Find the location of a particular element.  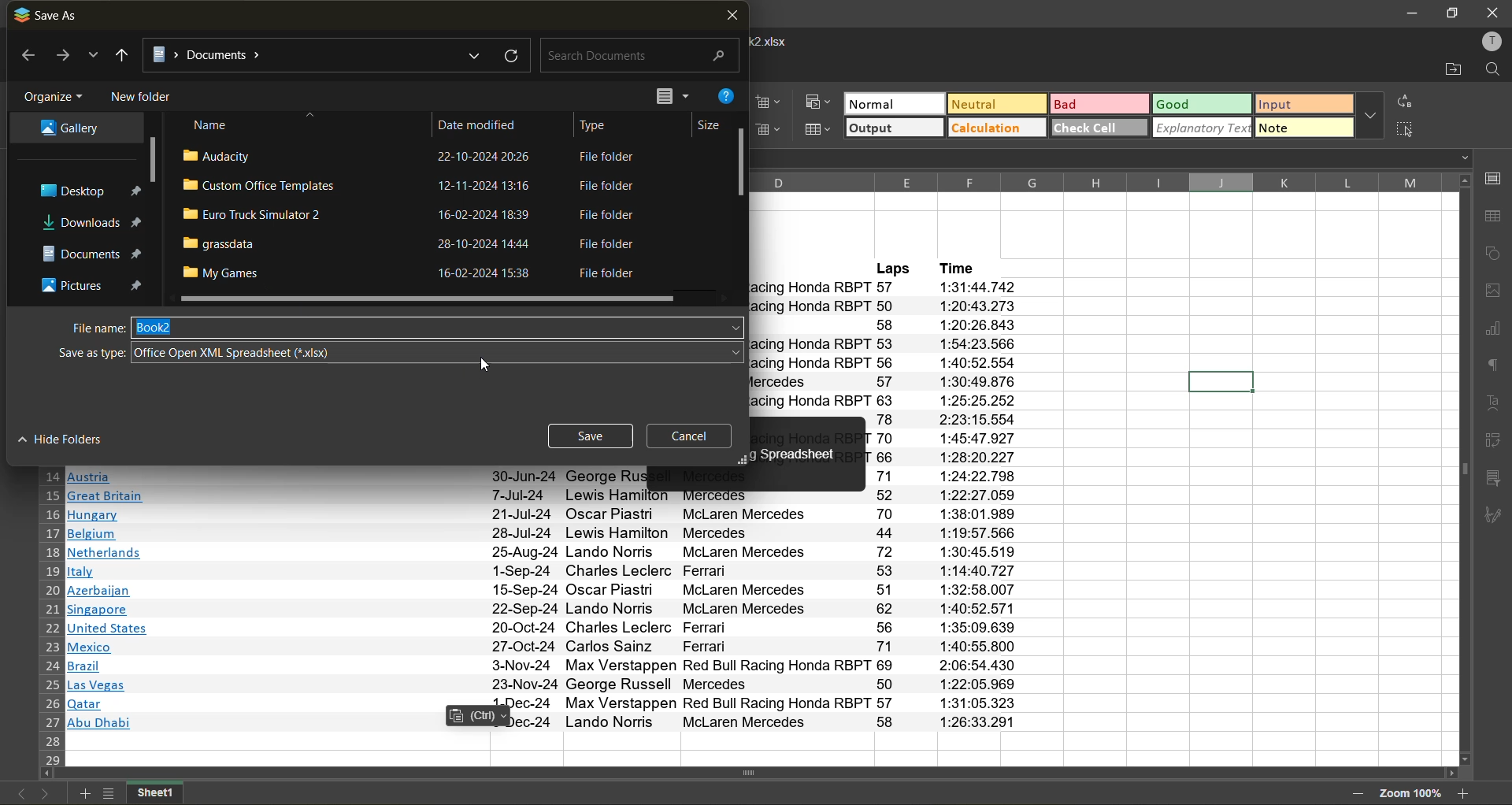

file is located at coordinates (406, 158).